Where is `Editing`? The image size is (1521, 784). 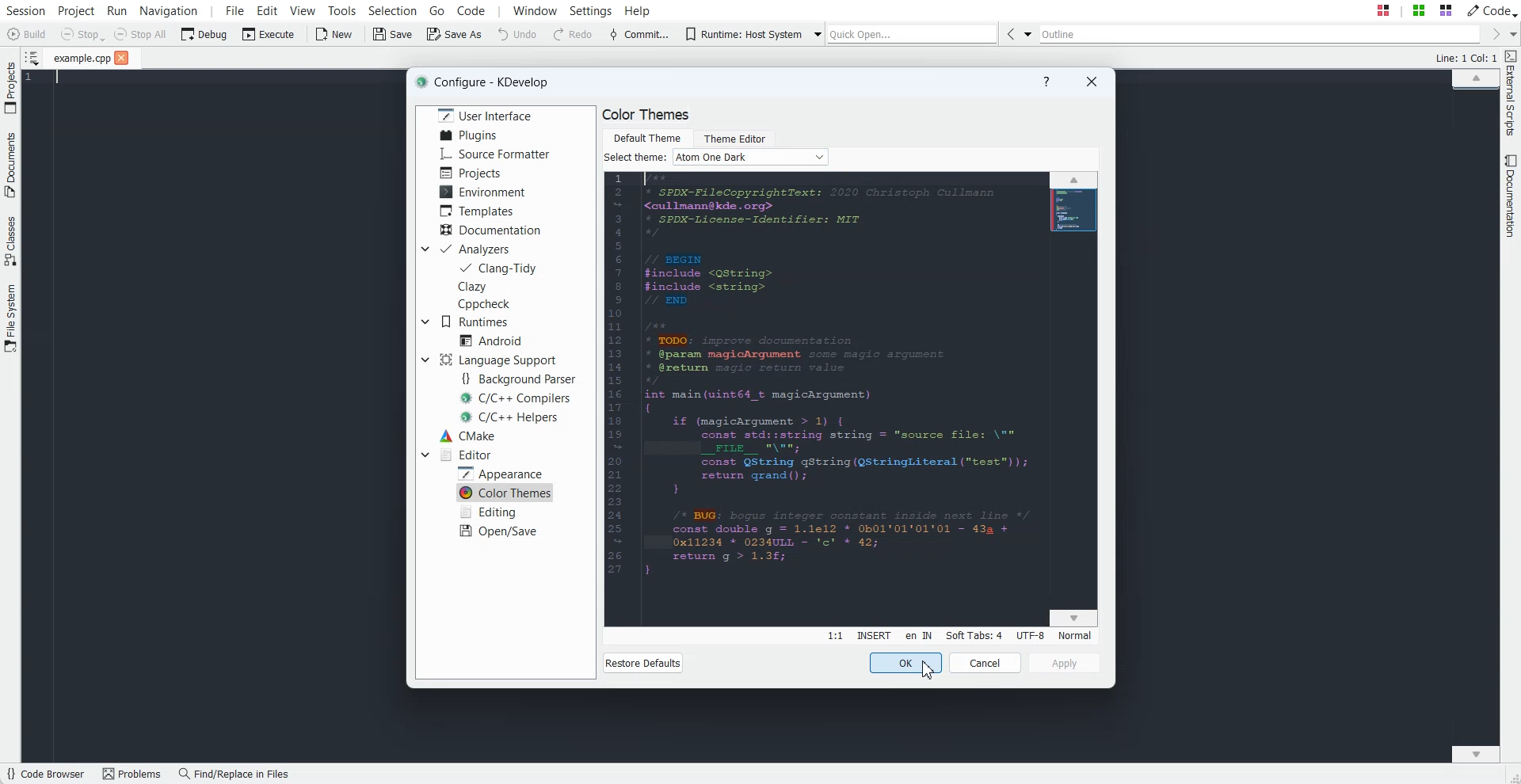
Editing is located at coordinates (491, 512).